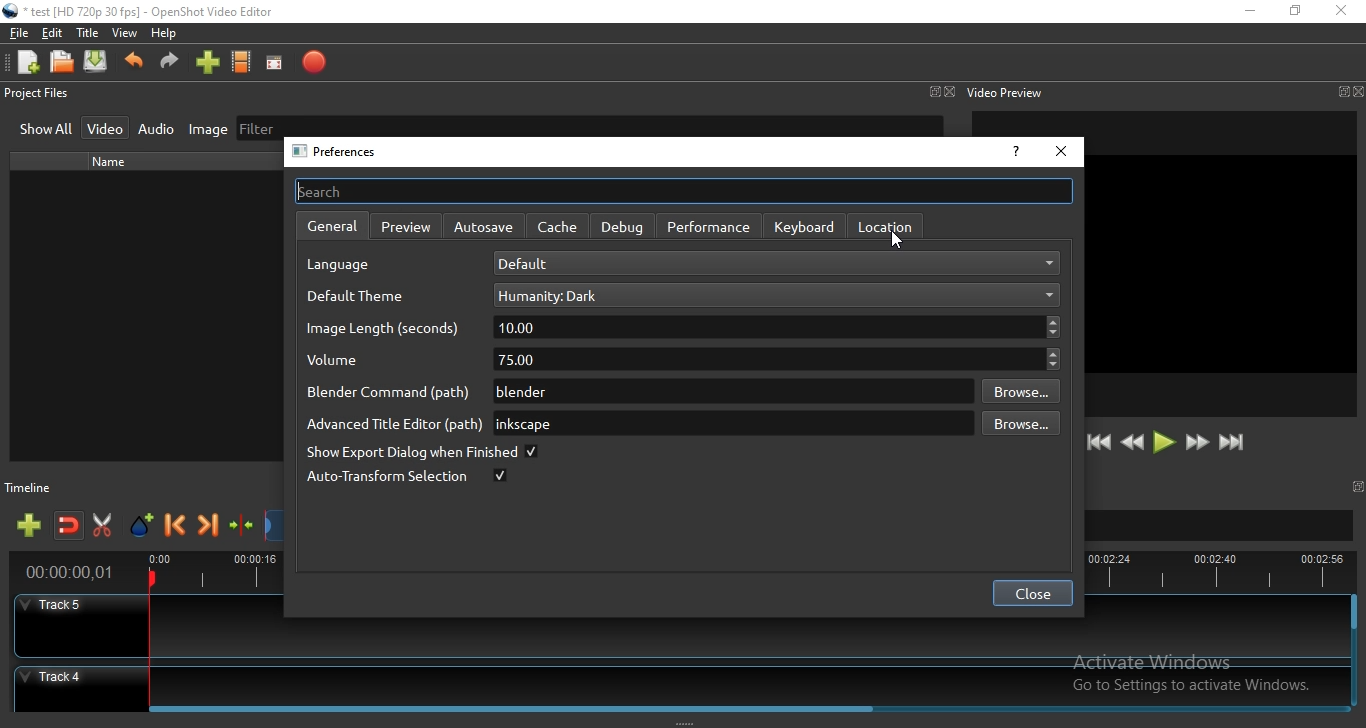  I want to click on blender command, so click(384, 393).